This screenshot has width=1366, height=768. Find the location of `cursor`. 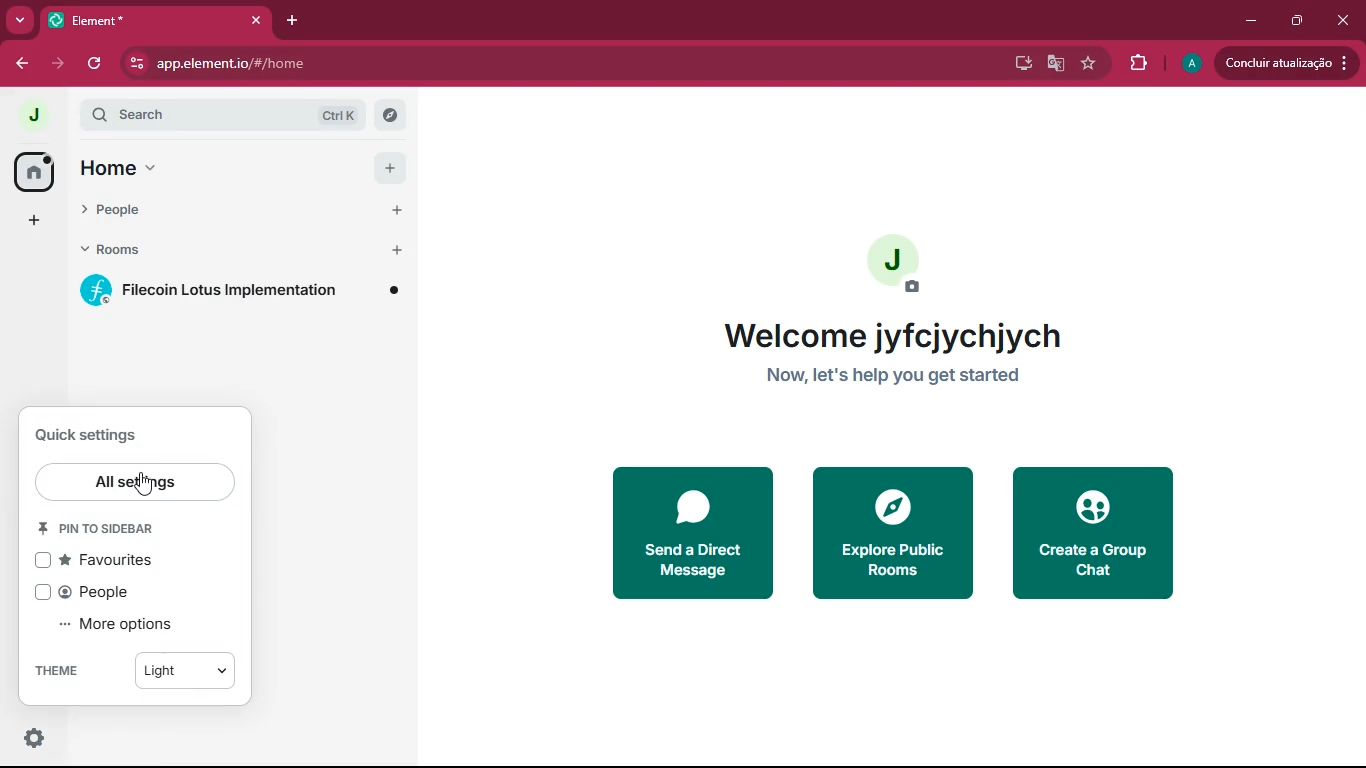

cursor is located at coordinates (144, 483).